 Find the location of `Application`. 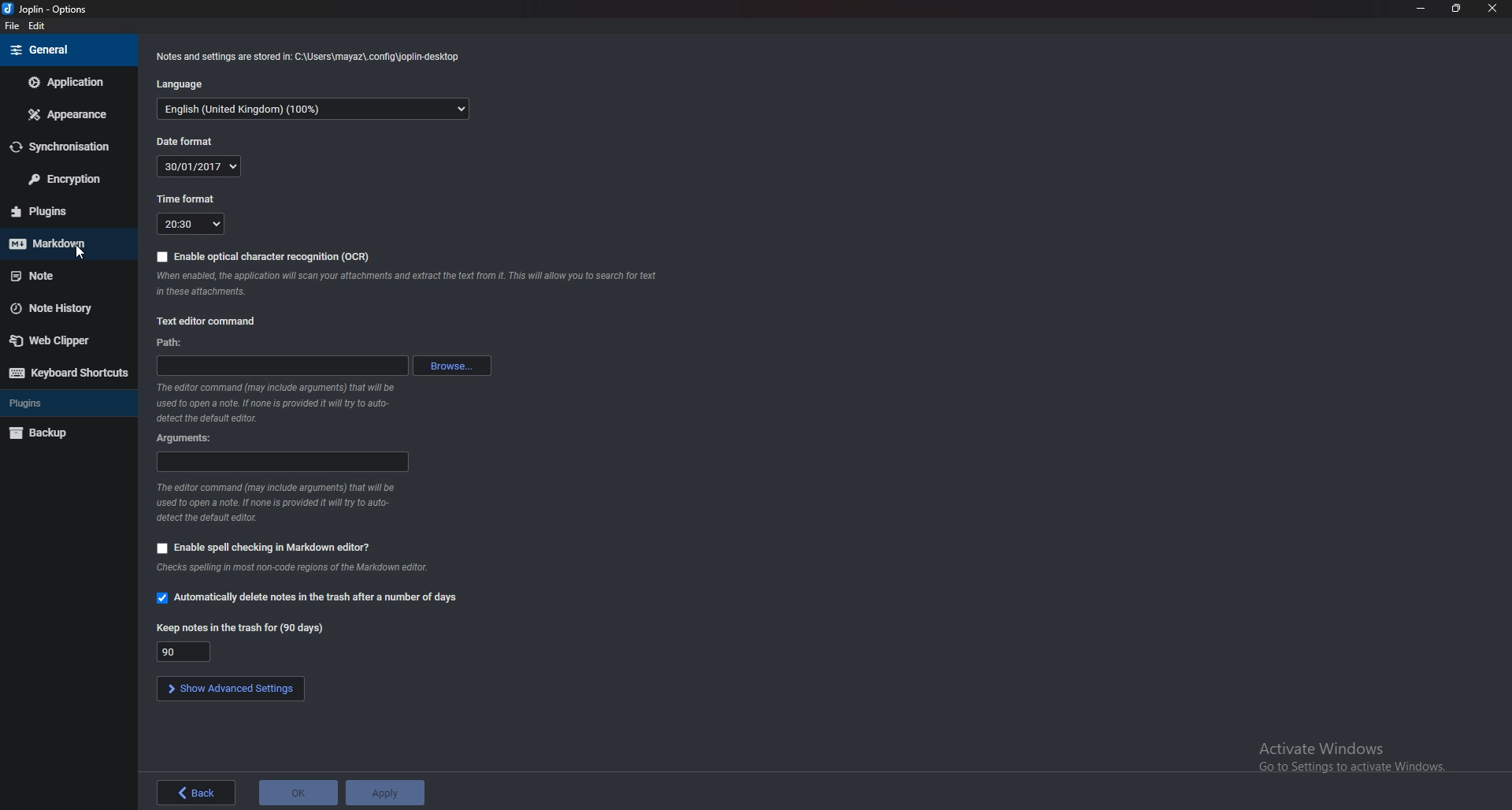

Application is located at coordinates (69, 84).